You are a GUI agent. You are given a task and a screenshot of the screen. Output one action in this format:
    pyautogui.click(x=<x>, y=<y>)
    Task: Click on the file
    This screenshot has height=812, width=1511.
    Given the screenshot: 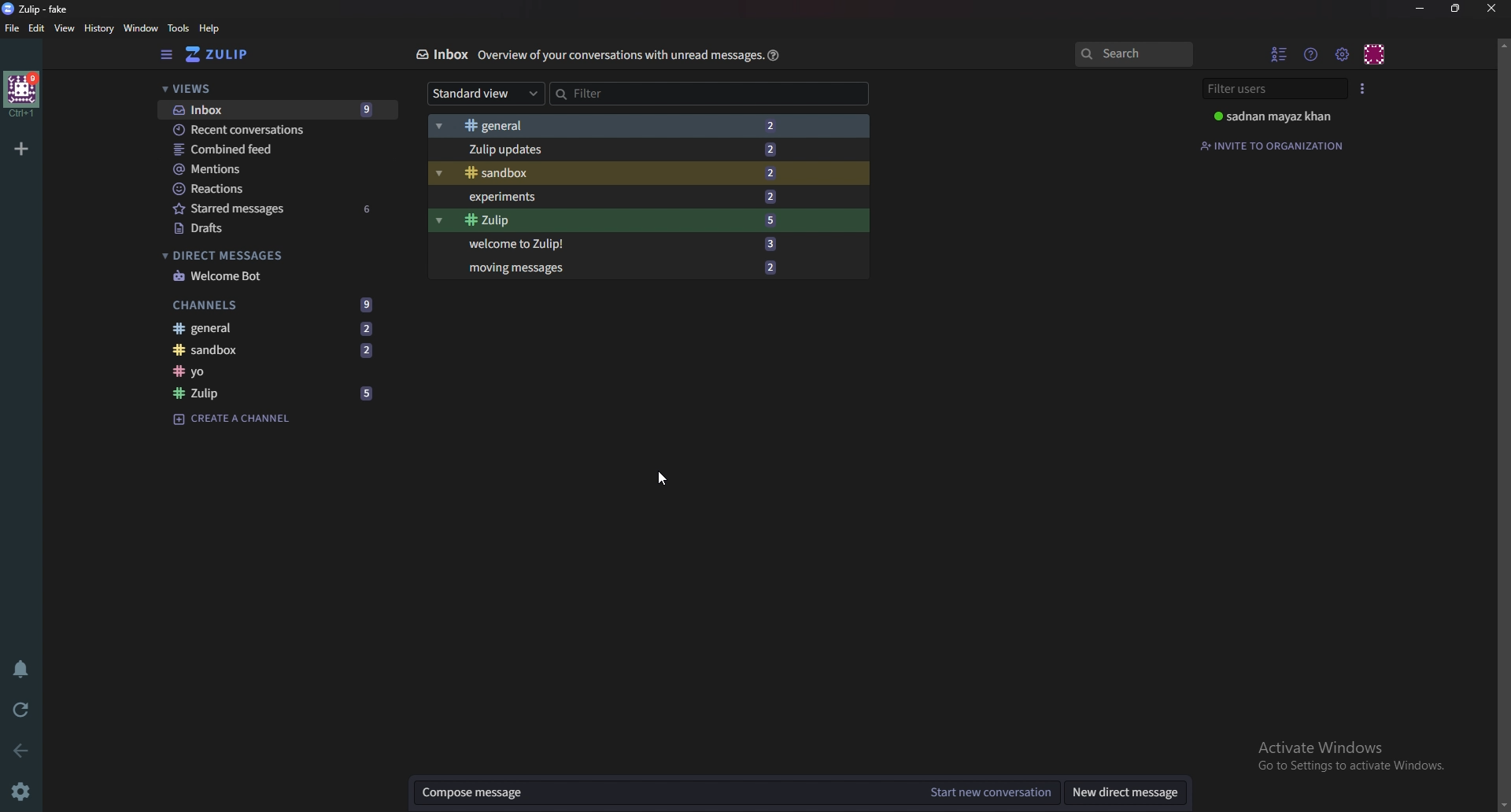 What is the action you would take?
    pyautogui.click(x=11, y=28)
    